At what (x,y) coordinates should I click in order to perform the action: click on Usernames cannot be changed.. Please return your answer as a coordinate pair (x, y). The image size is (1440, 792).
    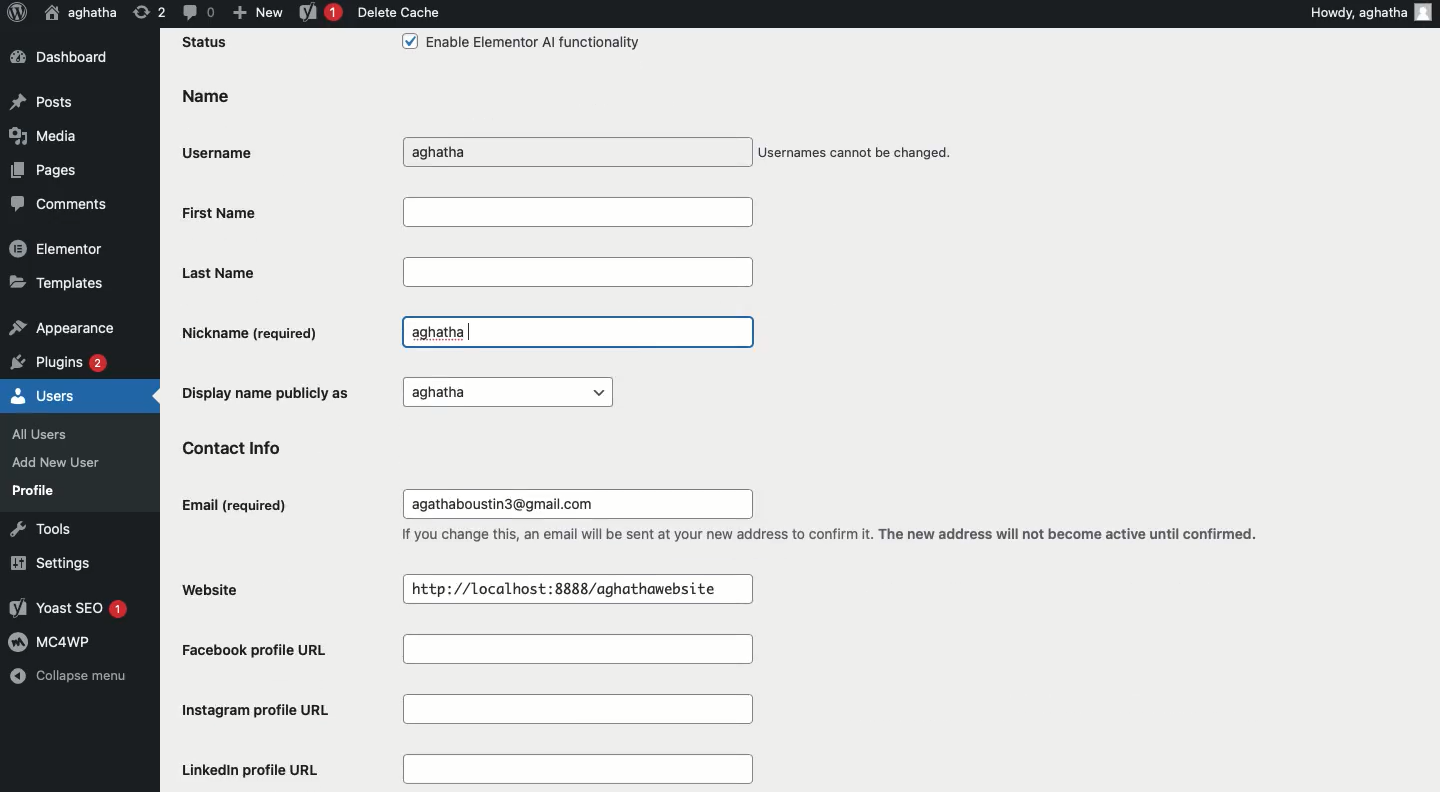
    Looking at the image, I should click on (857, 154).